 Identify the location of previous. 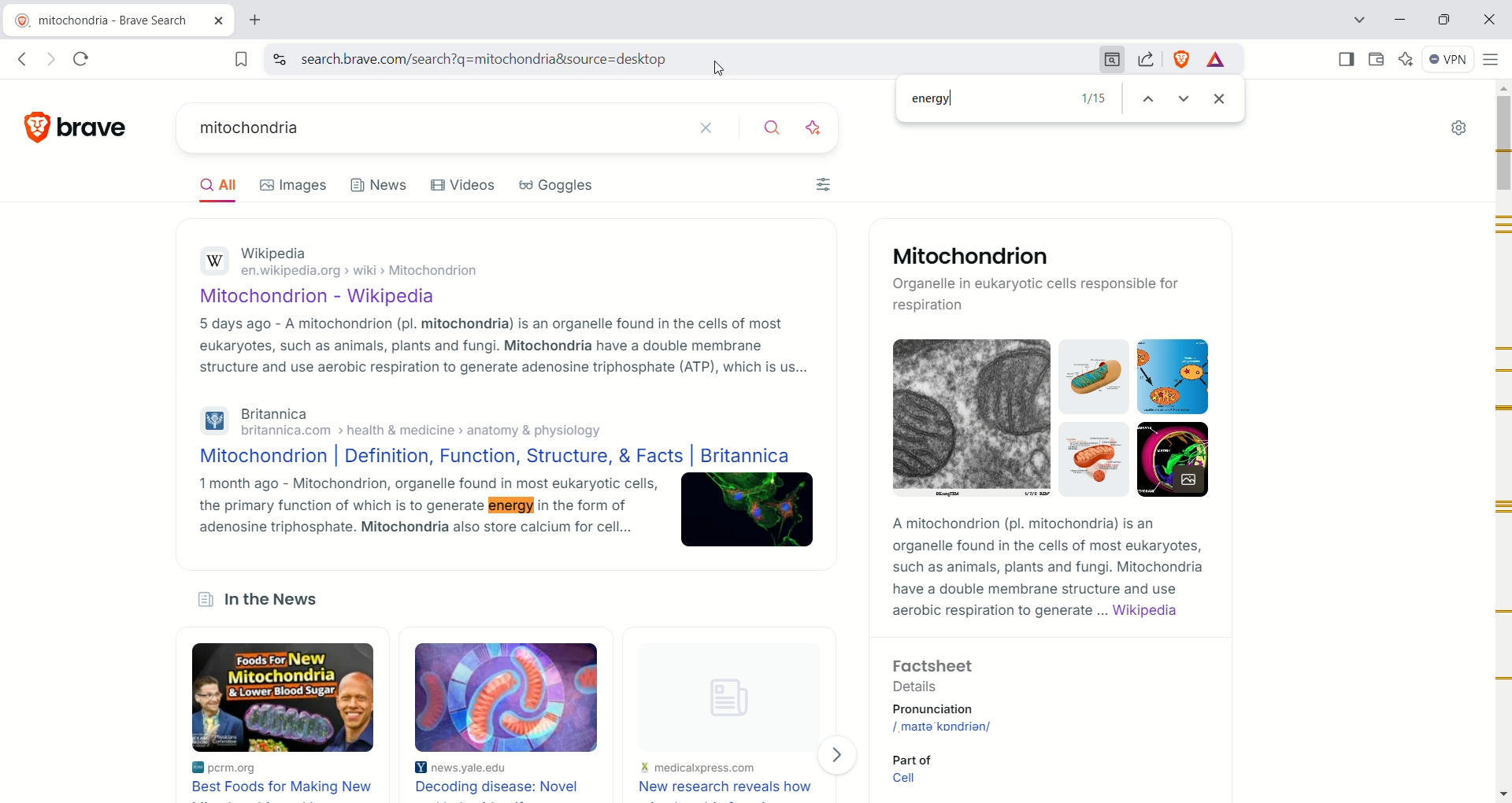
(1149, 101).